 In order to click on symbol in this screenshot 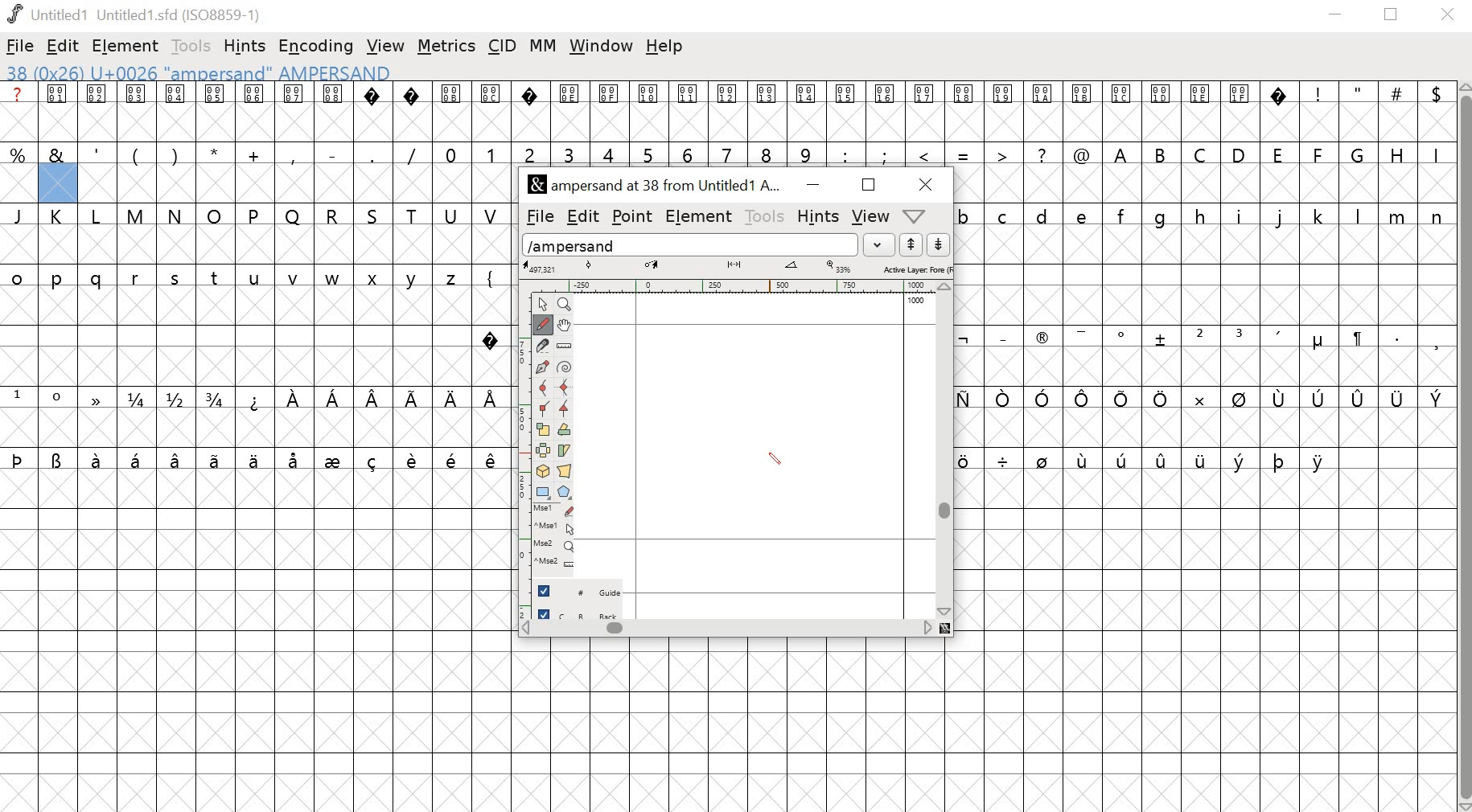, I will do `click(971, 459)`.